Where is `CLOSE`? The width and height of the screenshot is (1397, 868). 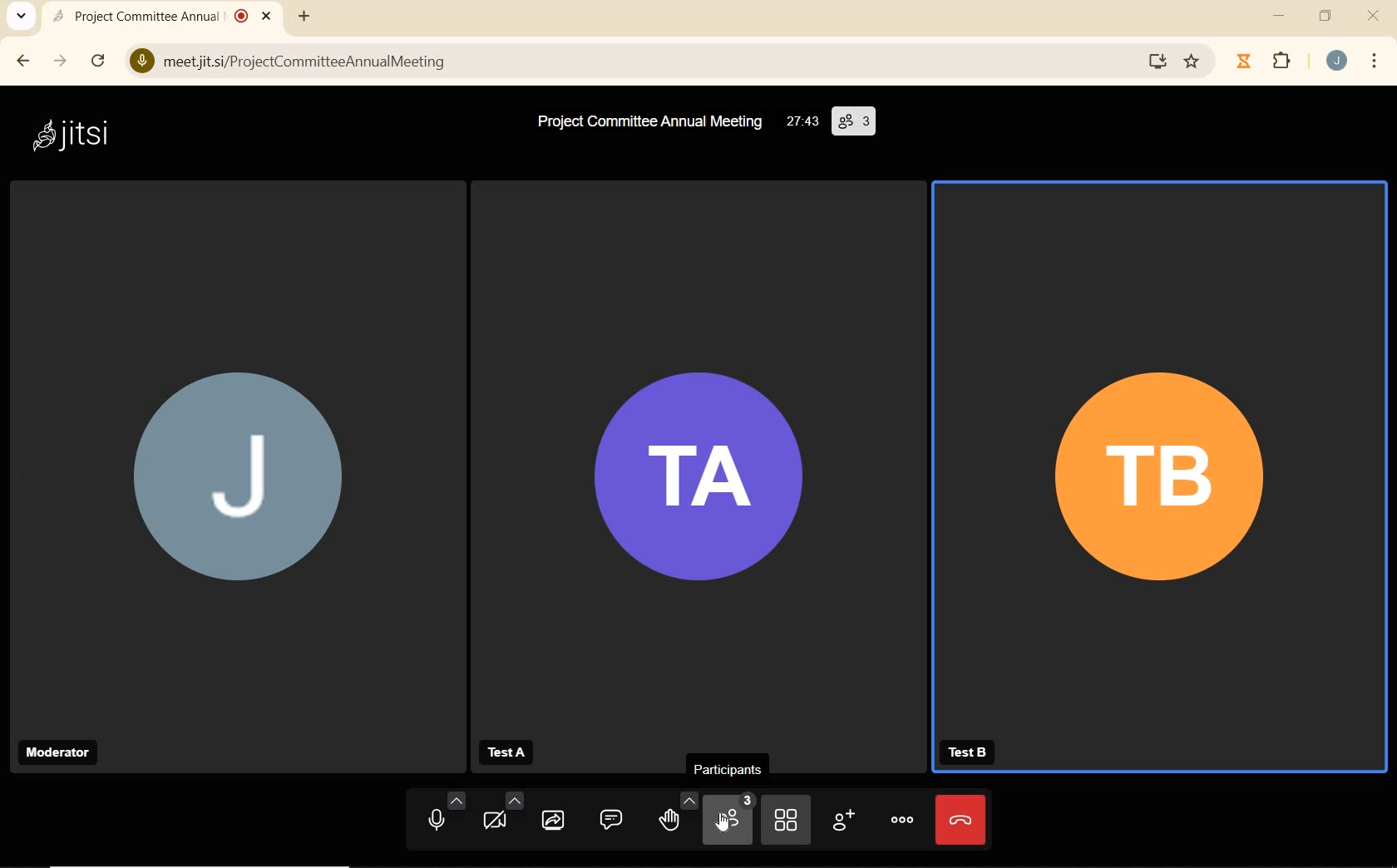
CLOSE is located at coordinates (1374, 17).